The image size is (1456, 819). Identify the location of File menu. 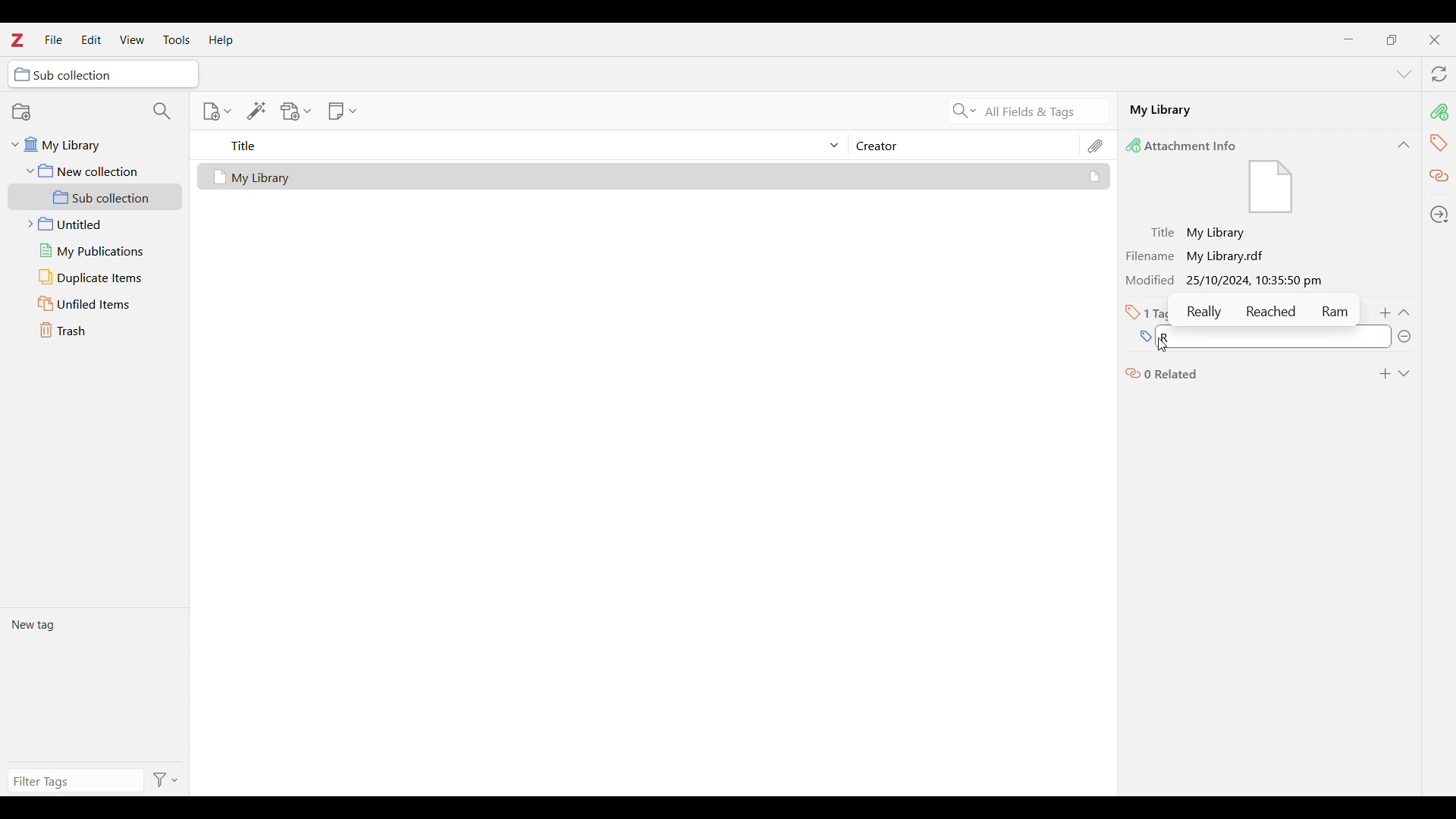
(53, 39).